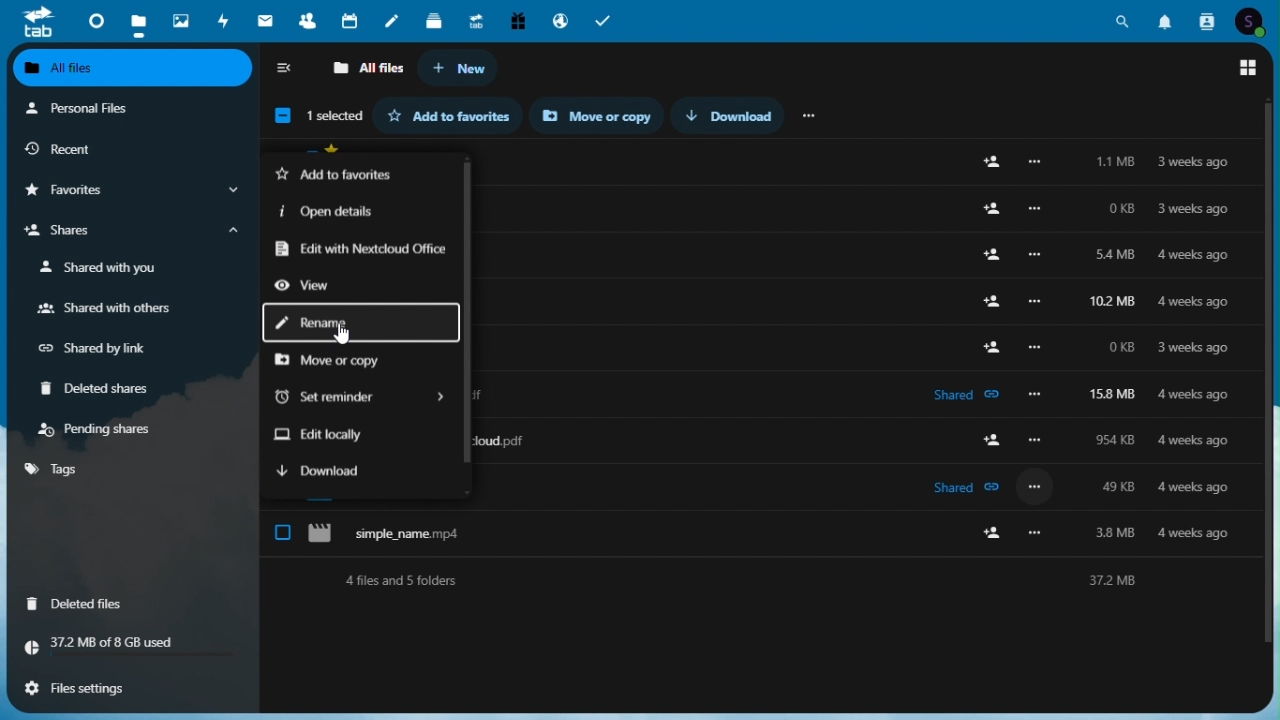 The width and height of the screenshot is (1280, 720). Describe the element at coordinates (126, 686) in the screenshot. I see `file settings` at that location.